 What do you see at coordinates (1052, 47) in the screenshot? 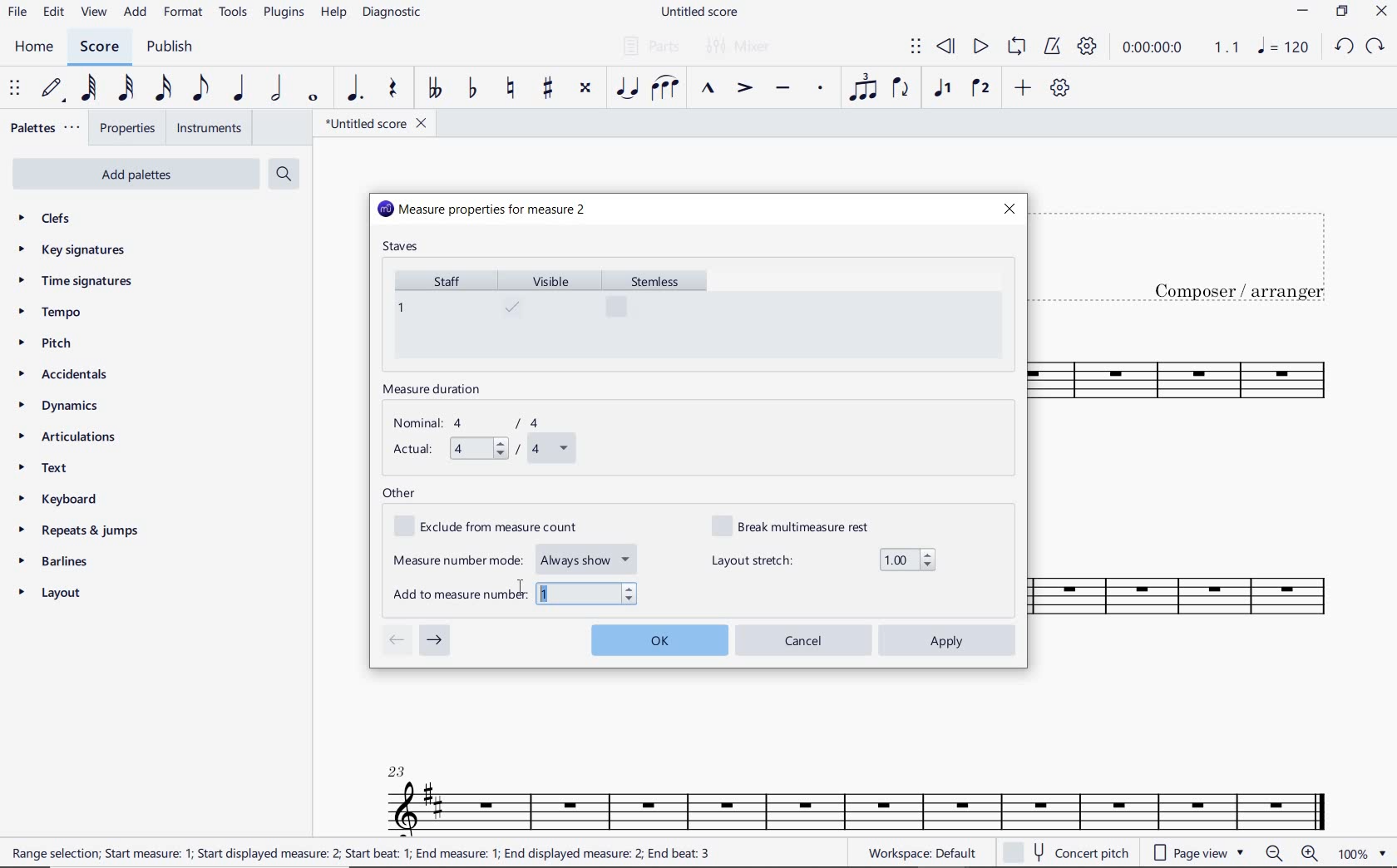
I see `METRONOME` at bounding box center [1052, 47].